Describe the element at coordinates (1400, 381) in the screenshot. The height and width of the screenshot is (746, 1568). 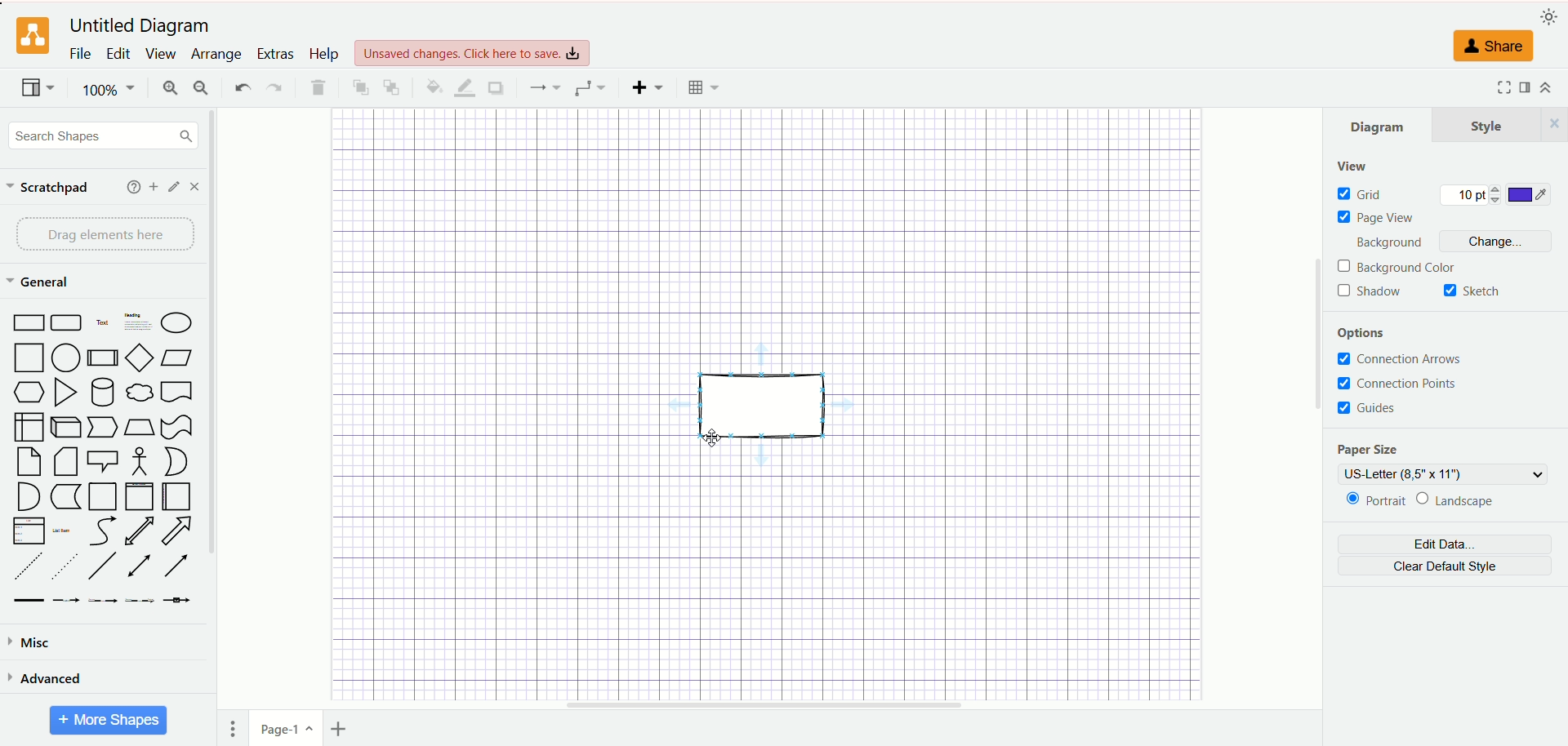
I see `connection point` at that location.